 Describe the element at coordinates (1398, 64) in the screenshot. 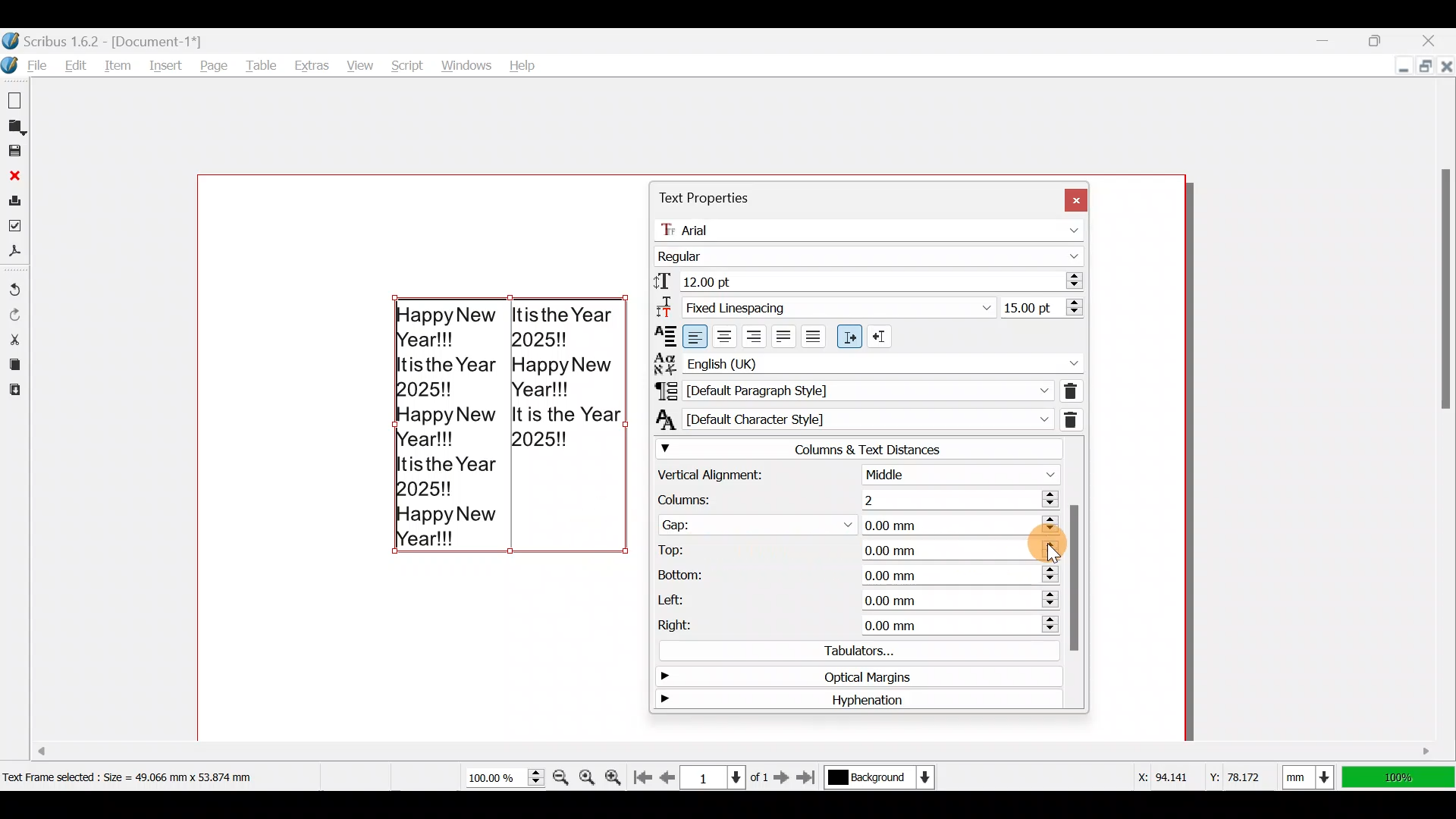

I see `Minimize` at that location.